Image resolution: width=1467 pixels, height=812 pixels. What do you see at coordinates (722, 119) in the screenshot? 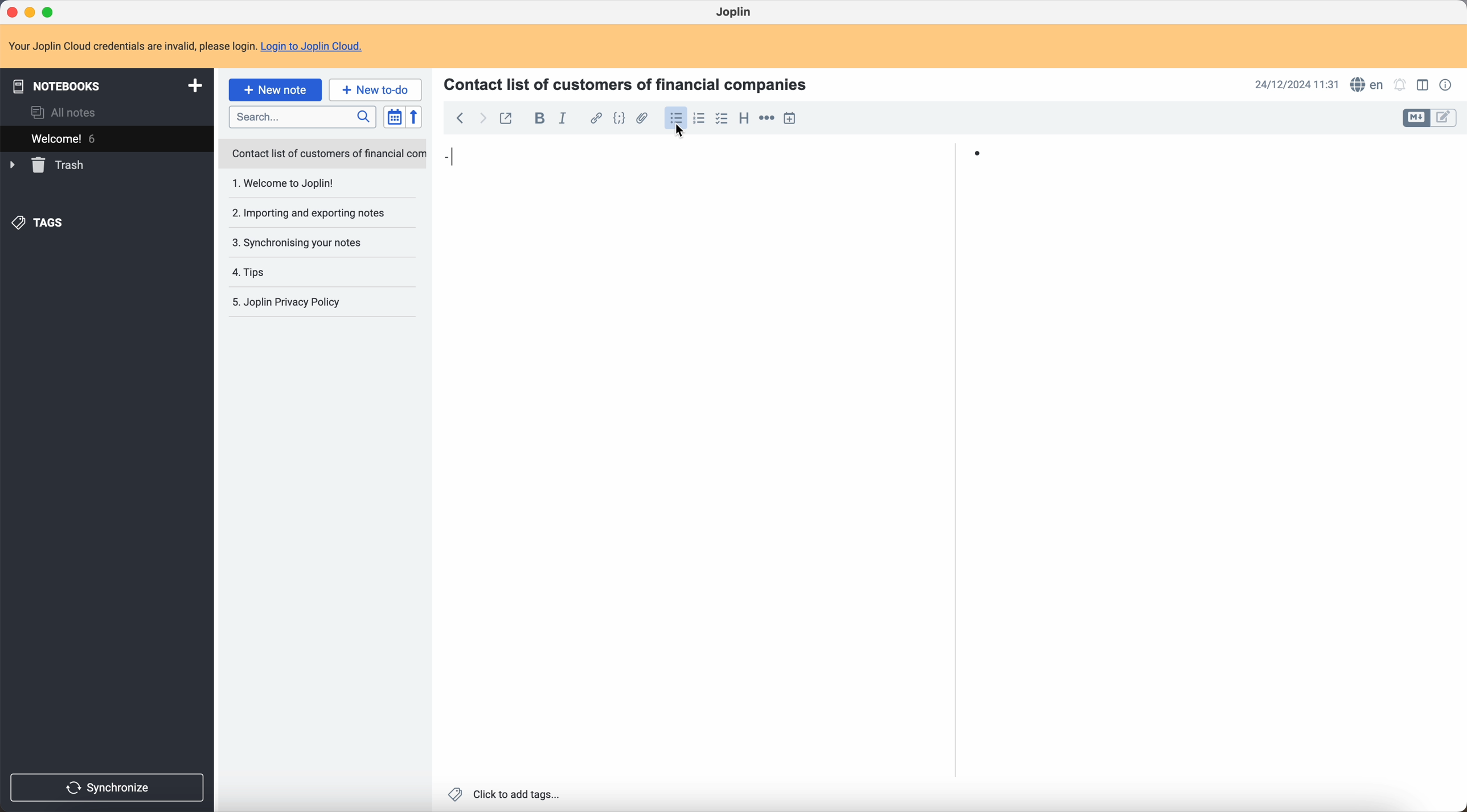
I see `check list` at bounding box center [722, 119].